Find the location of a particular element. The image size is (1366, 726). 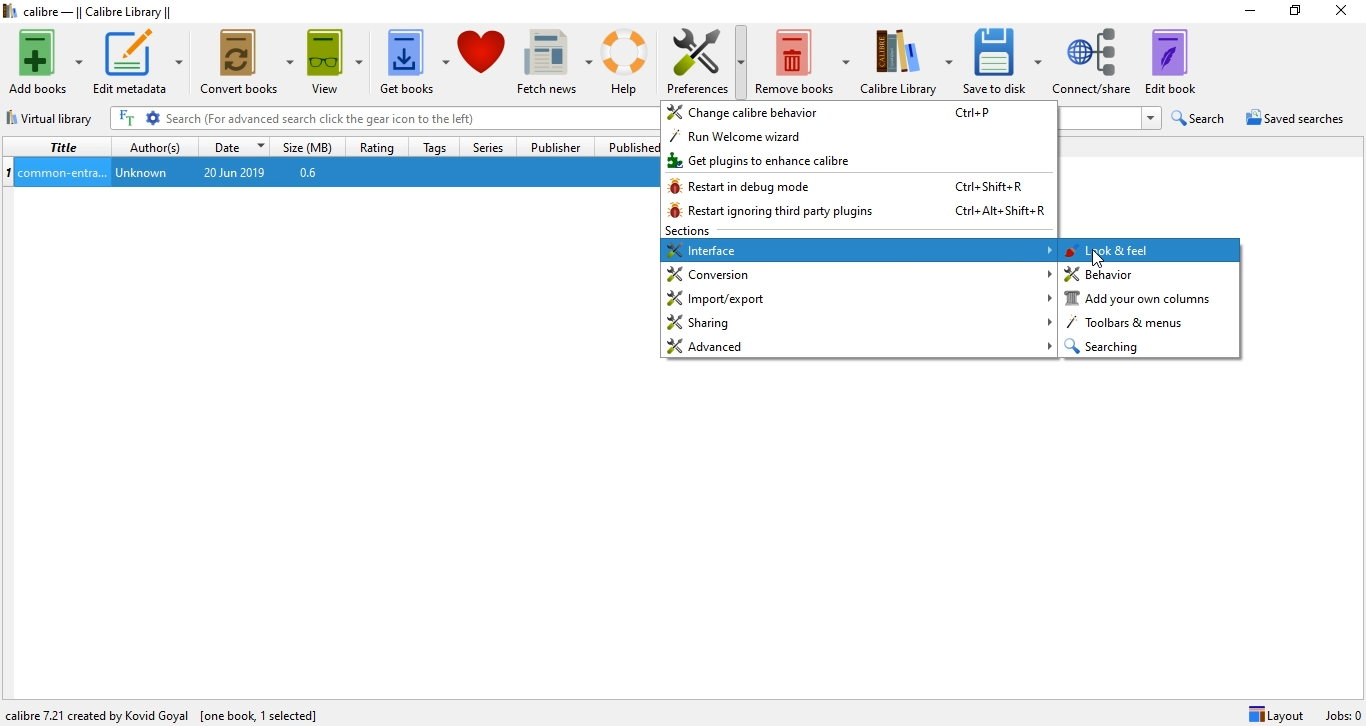

Edit metadata is located at coordinates (140, 62).